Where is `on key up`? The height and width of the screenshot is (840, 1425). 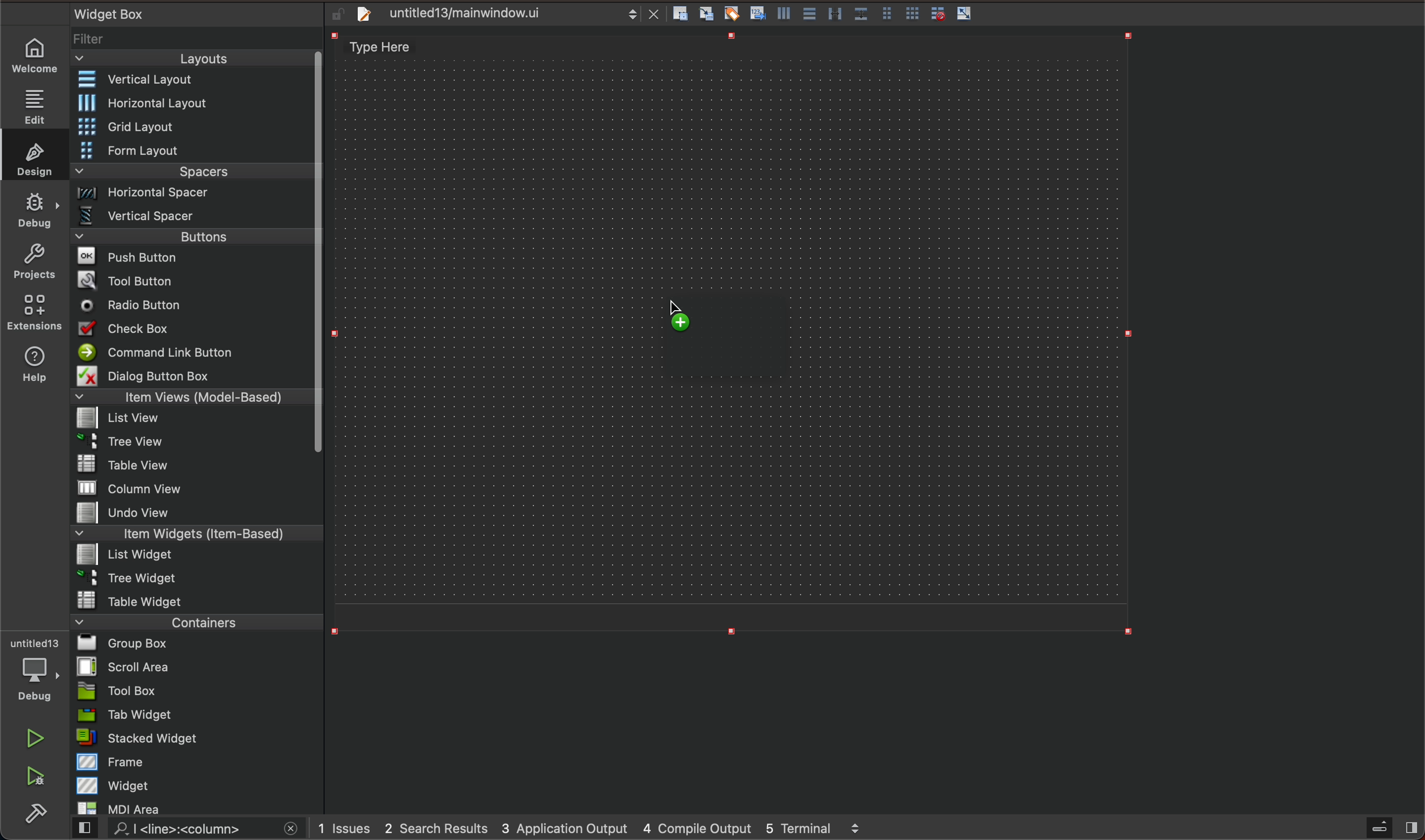
on key up is located at coordinates (734, 335).